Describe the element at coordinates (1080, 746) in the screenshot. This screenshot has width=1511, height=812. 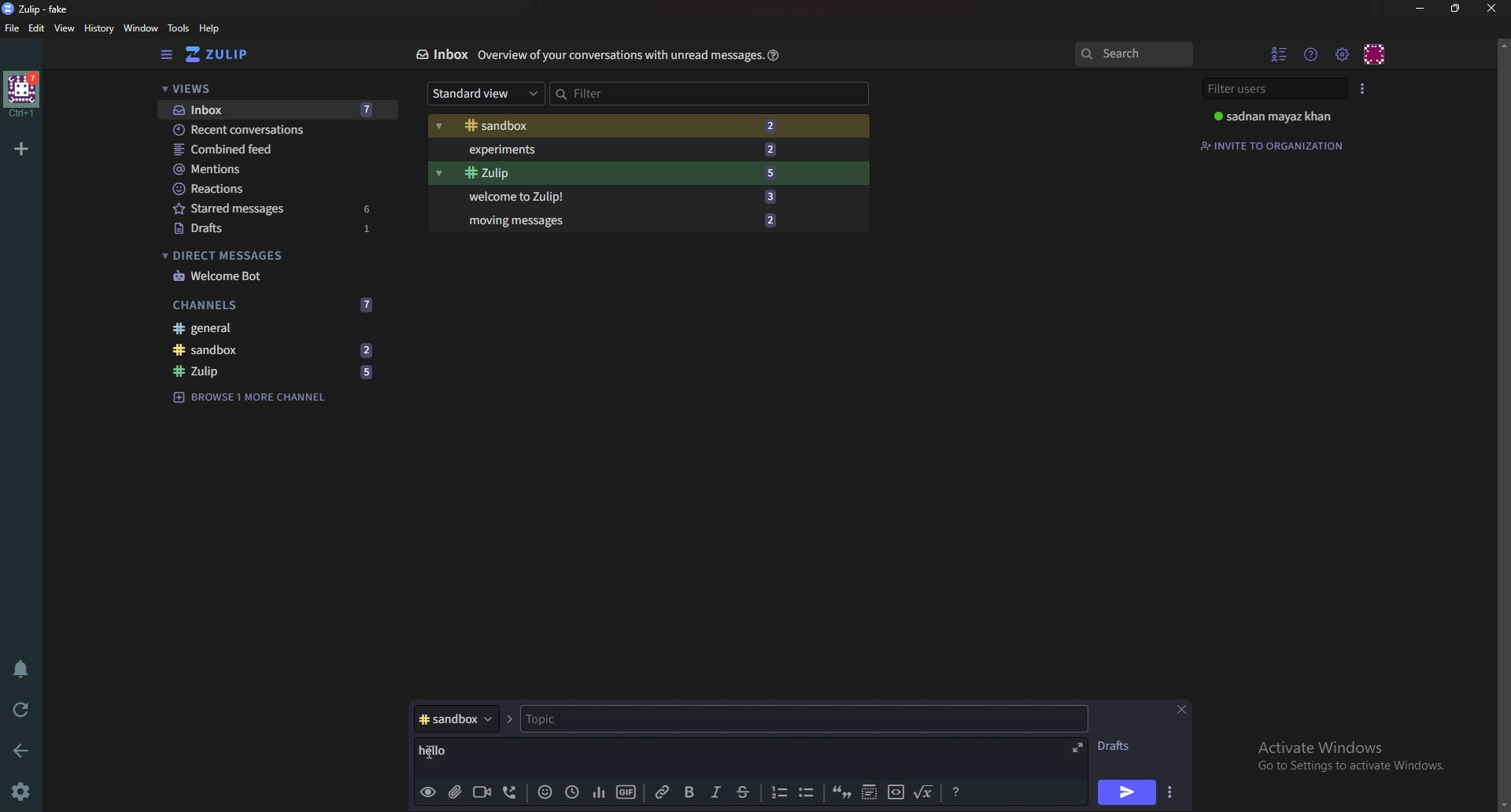
I see `Expand` at that location.